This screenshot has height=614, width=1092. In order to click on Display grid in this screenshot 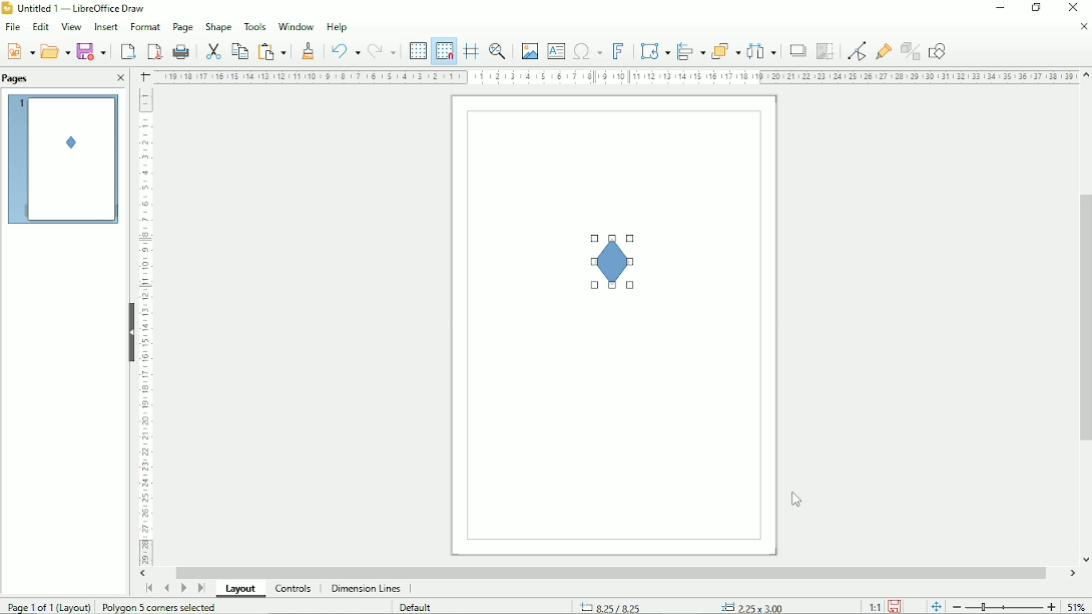, I will do `click(417, 49)`.